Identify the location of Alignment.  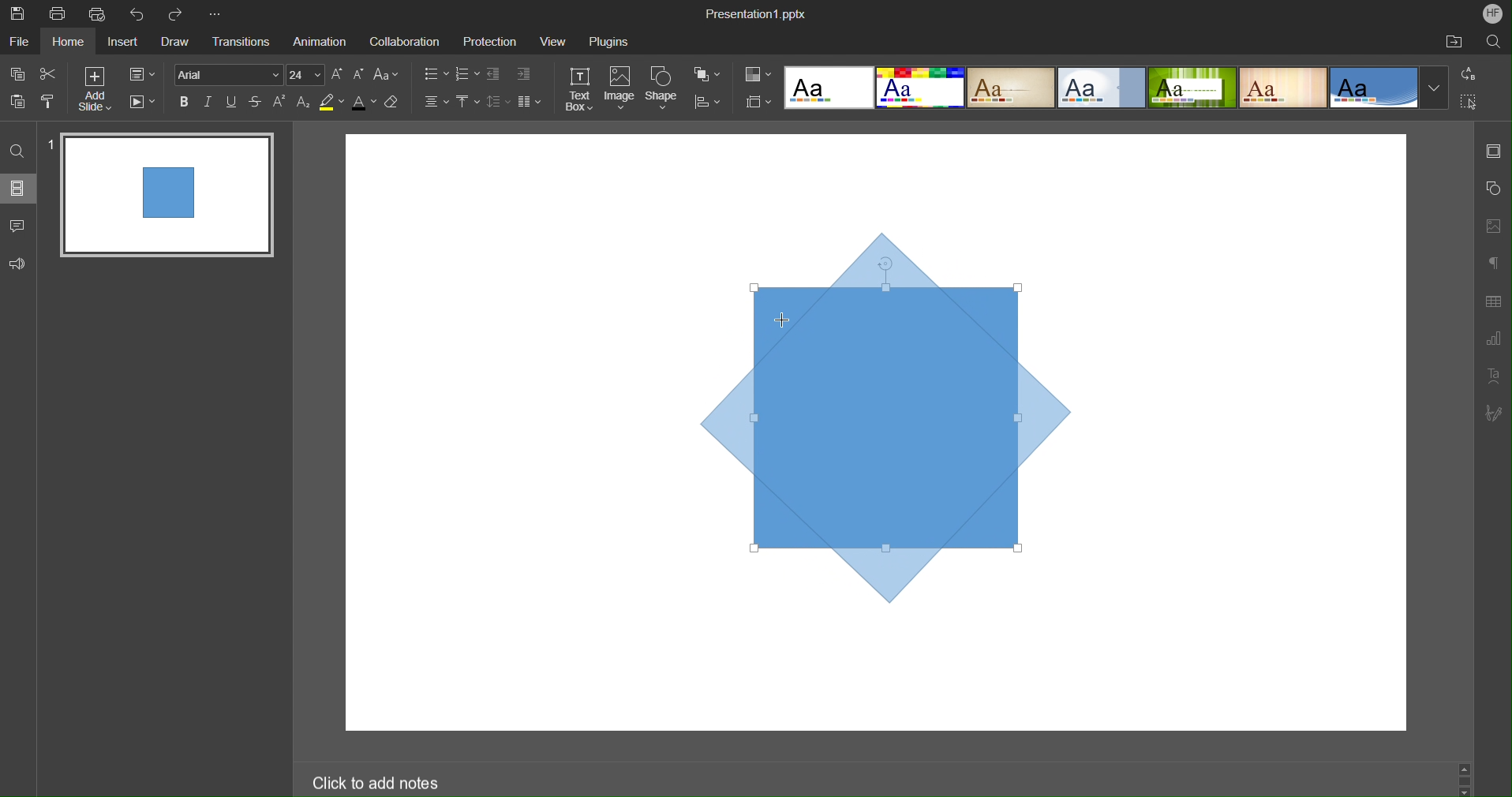
(436, 101).